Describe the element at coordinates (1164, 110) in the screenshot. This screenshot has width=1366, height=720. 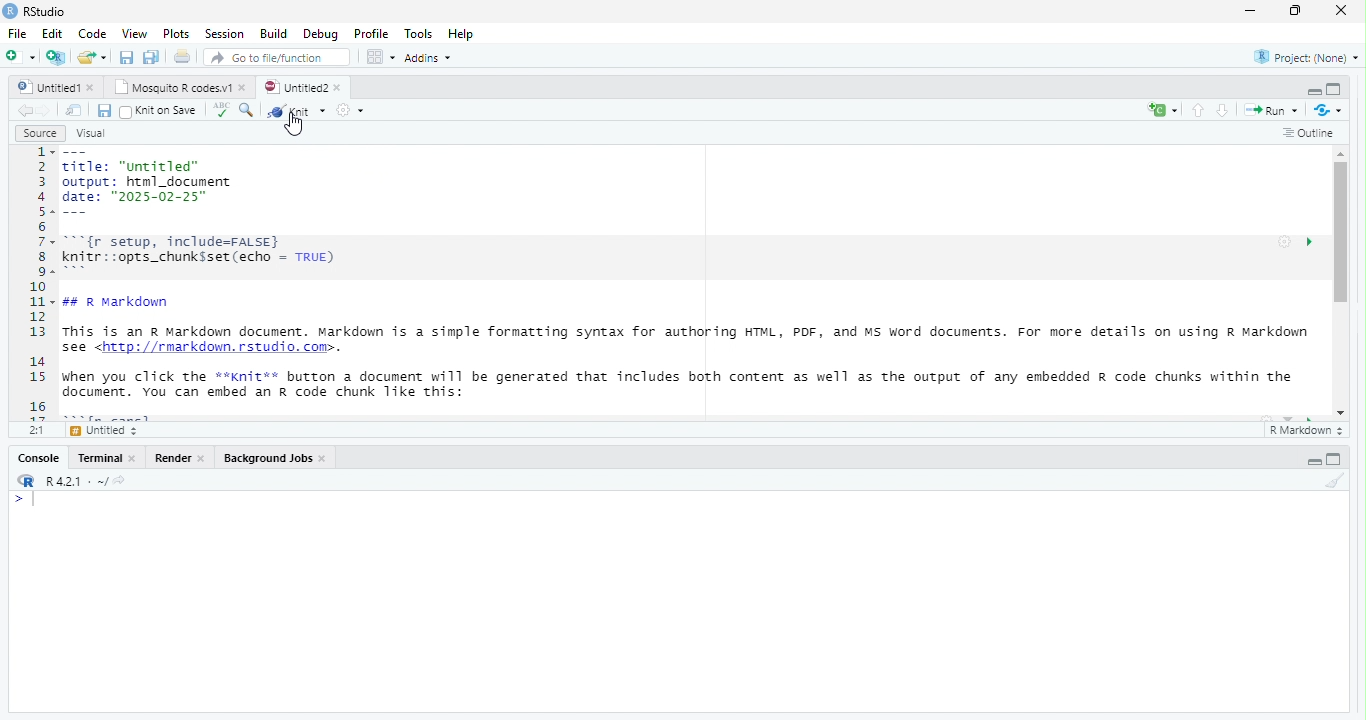
I see `C+` at that location.